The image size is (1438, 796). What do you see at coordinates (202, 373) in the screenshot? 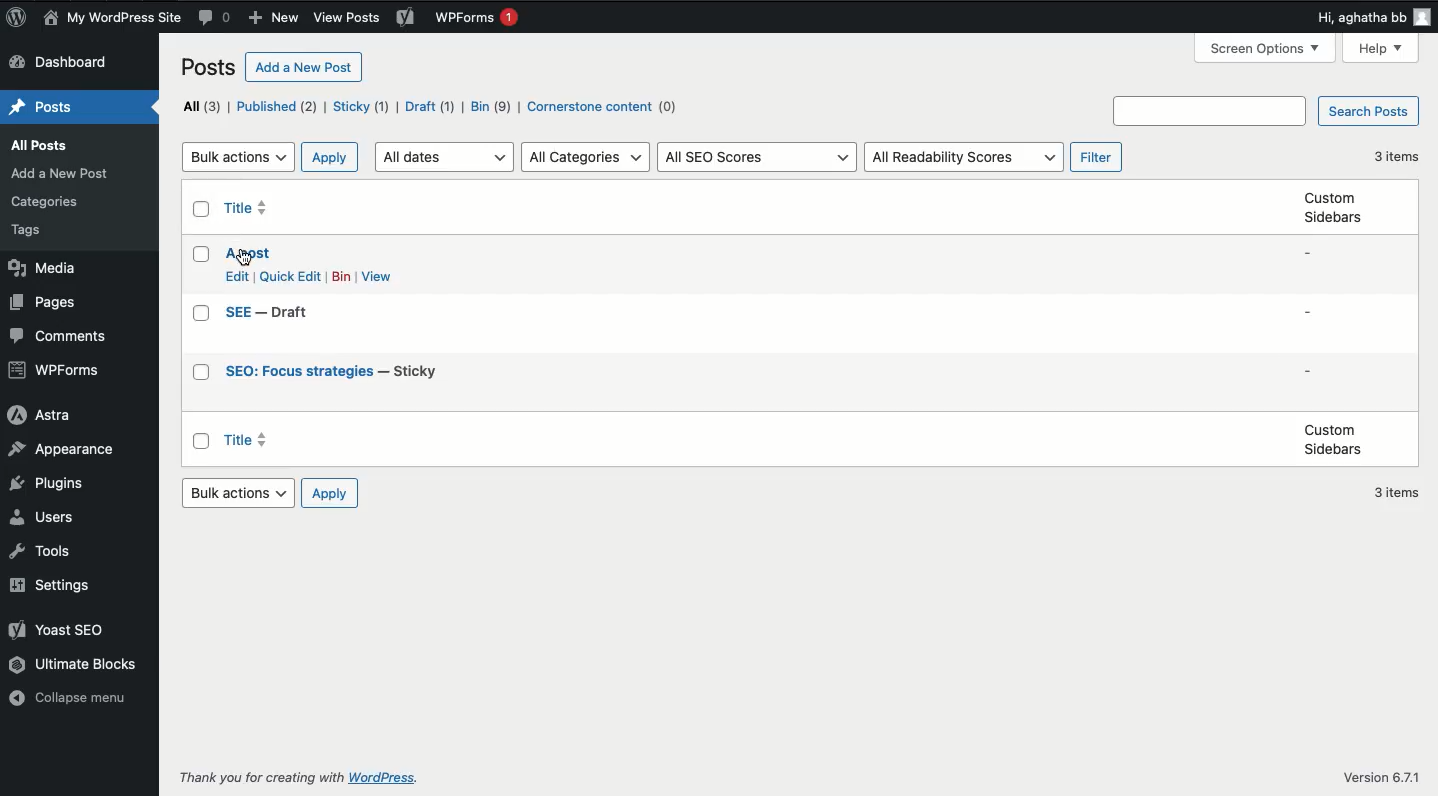
I see `Checkbox` at bounding box center [202, 373].